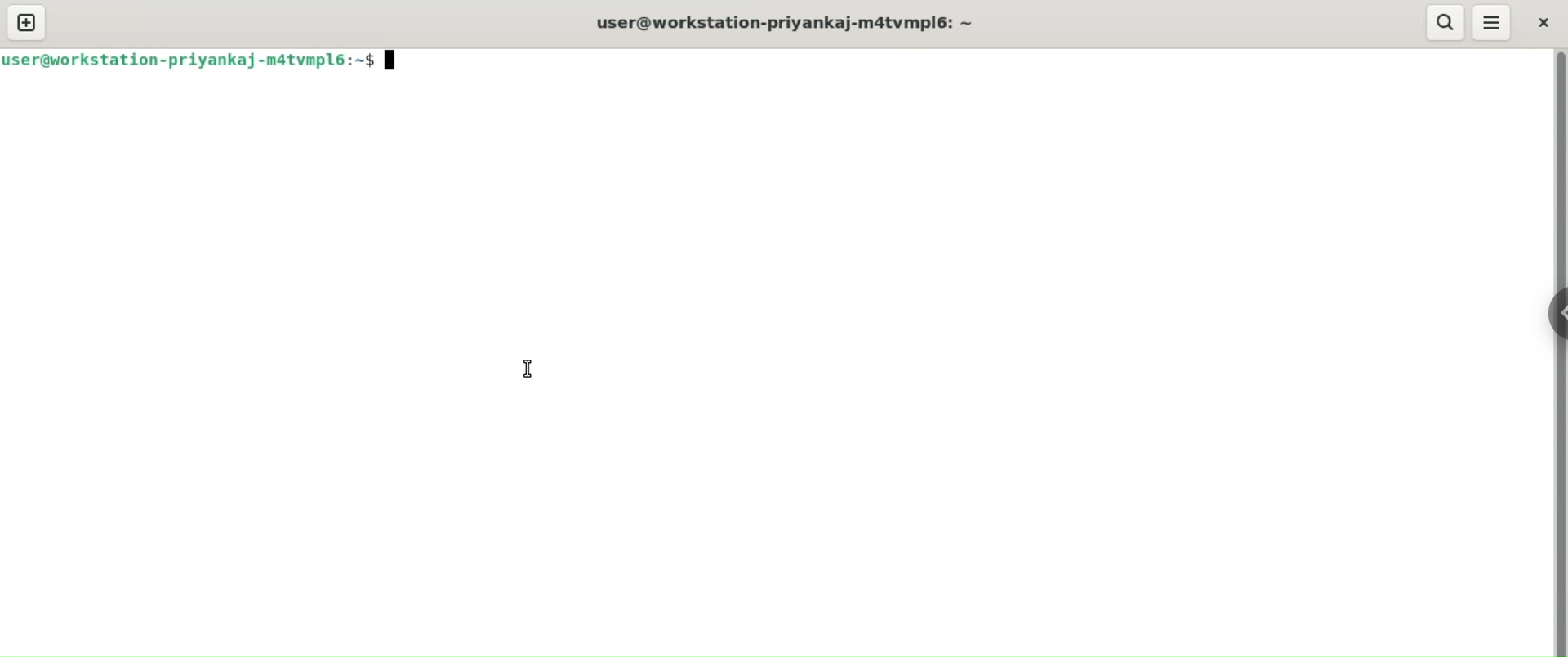  I want to click on cursor, so click(527, 370).